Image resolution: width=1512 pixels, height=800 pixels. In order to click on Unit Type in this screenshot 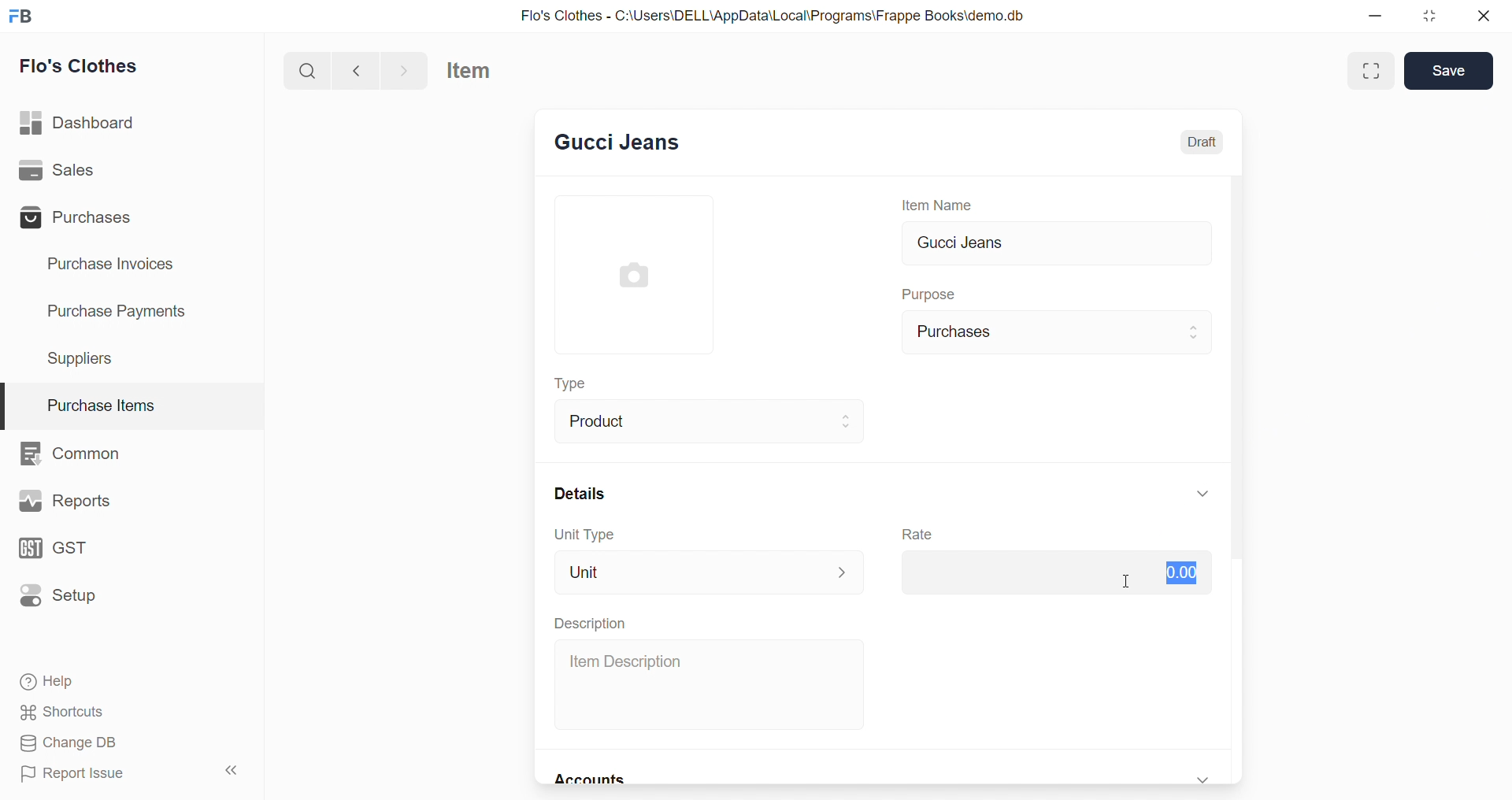, I will do `click(583, 535)`.